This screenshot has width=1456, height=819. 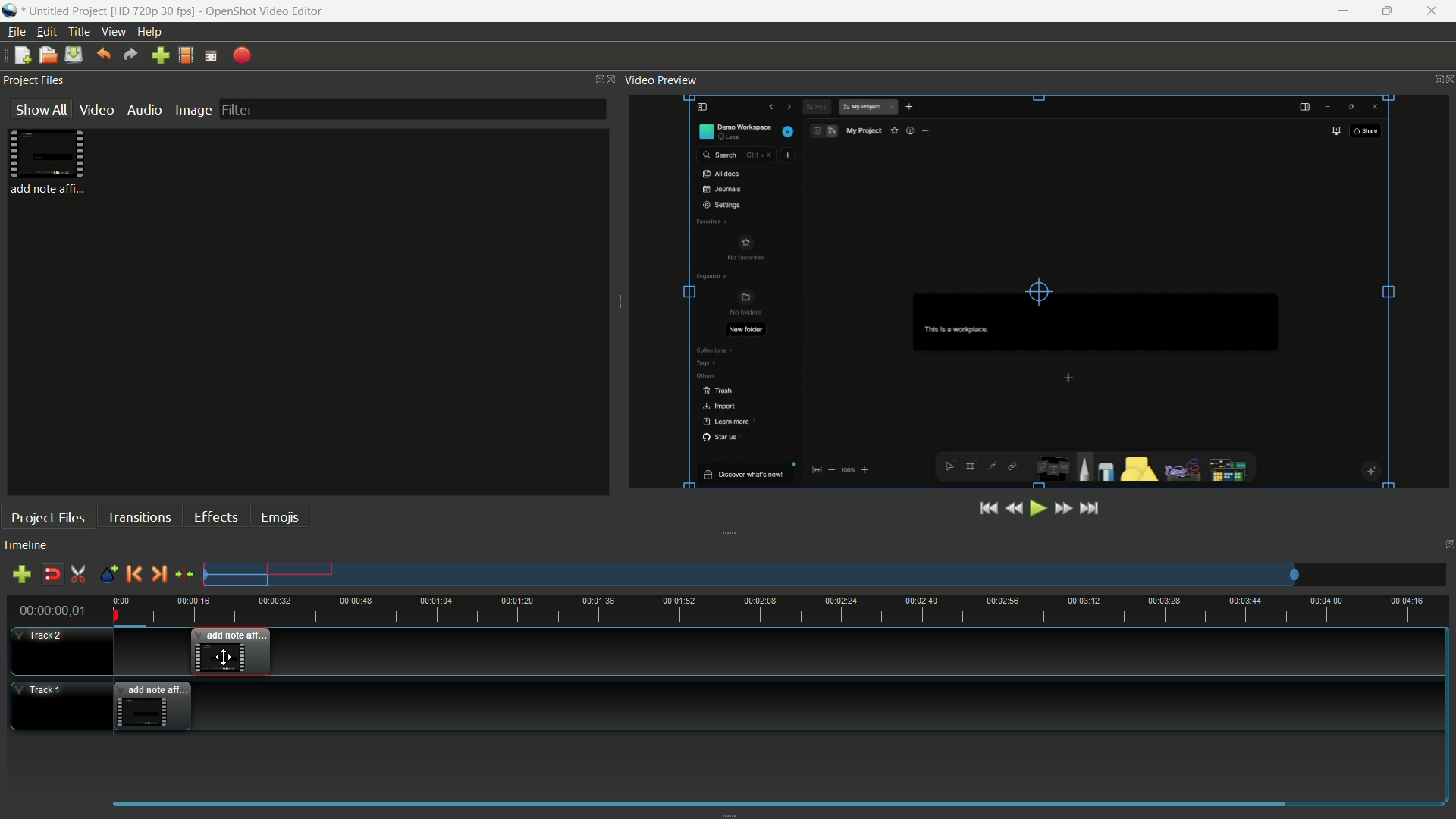 What do you see at coordinates (21, 573) in the screenshot?
I see `add track` at bounding box center [21, 573].